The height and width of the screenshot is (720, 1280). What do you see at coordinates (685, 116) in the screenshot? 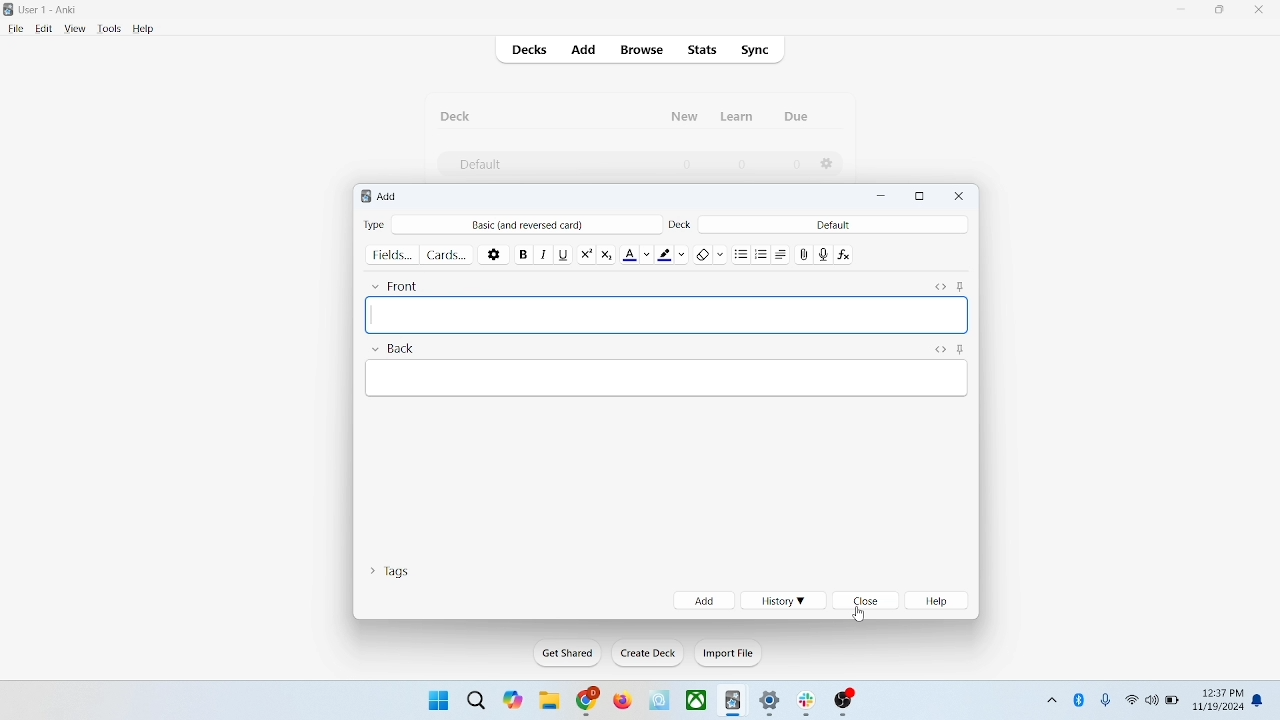
I see `new` at bounding box center [685, 116].